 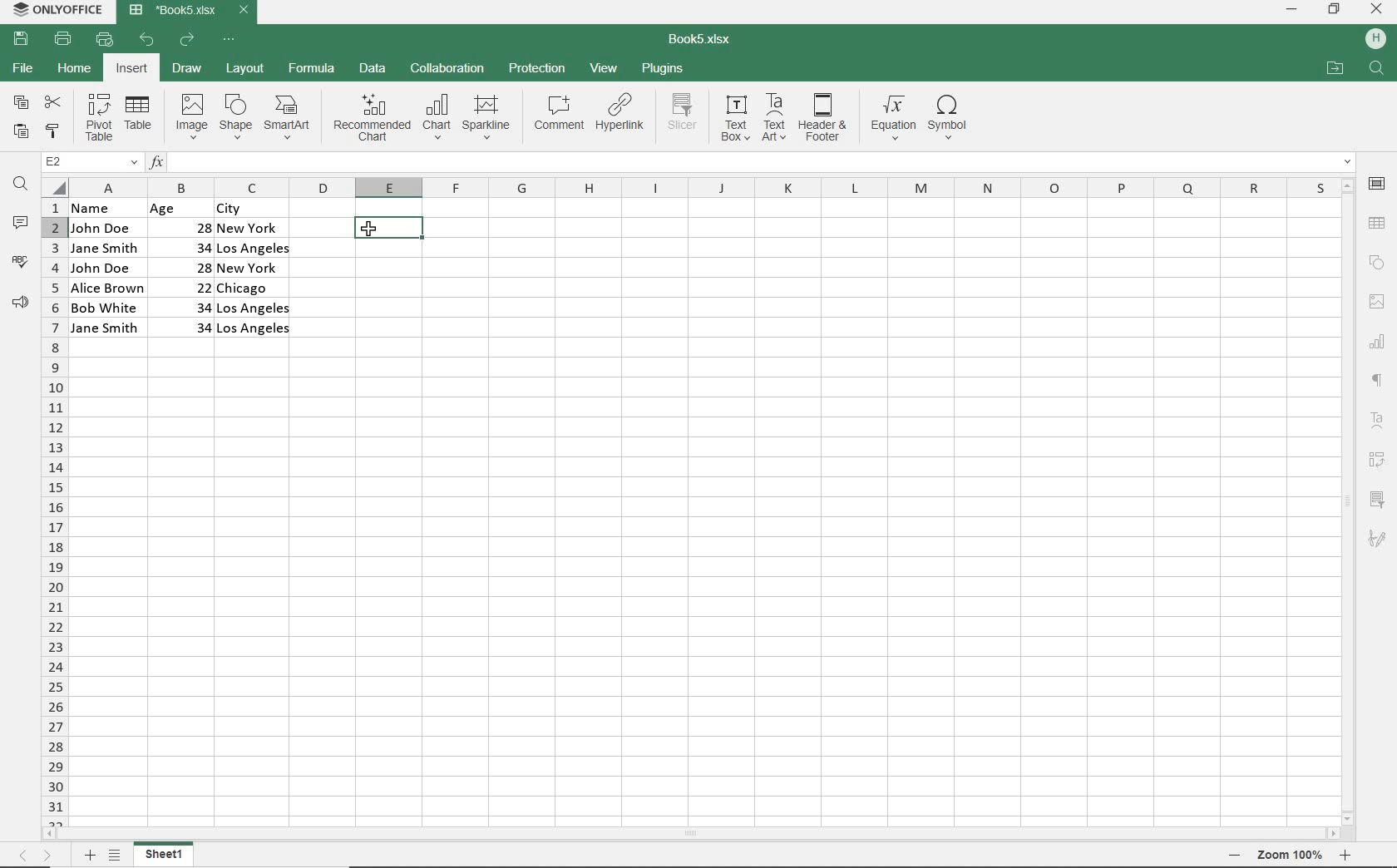 What do you see at coordinates (700, 185) in the screenshot?
I see `COLUMNS` at bounding box center [700, 185].